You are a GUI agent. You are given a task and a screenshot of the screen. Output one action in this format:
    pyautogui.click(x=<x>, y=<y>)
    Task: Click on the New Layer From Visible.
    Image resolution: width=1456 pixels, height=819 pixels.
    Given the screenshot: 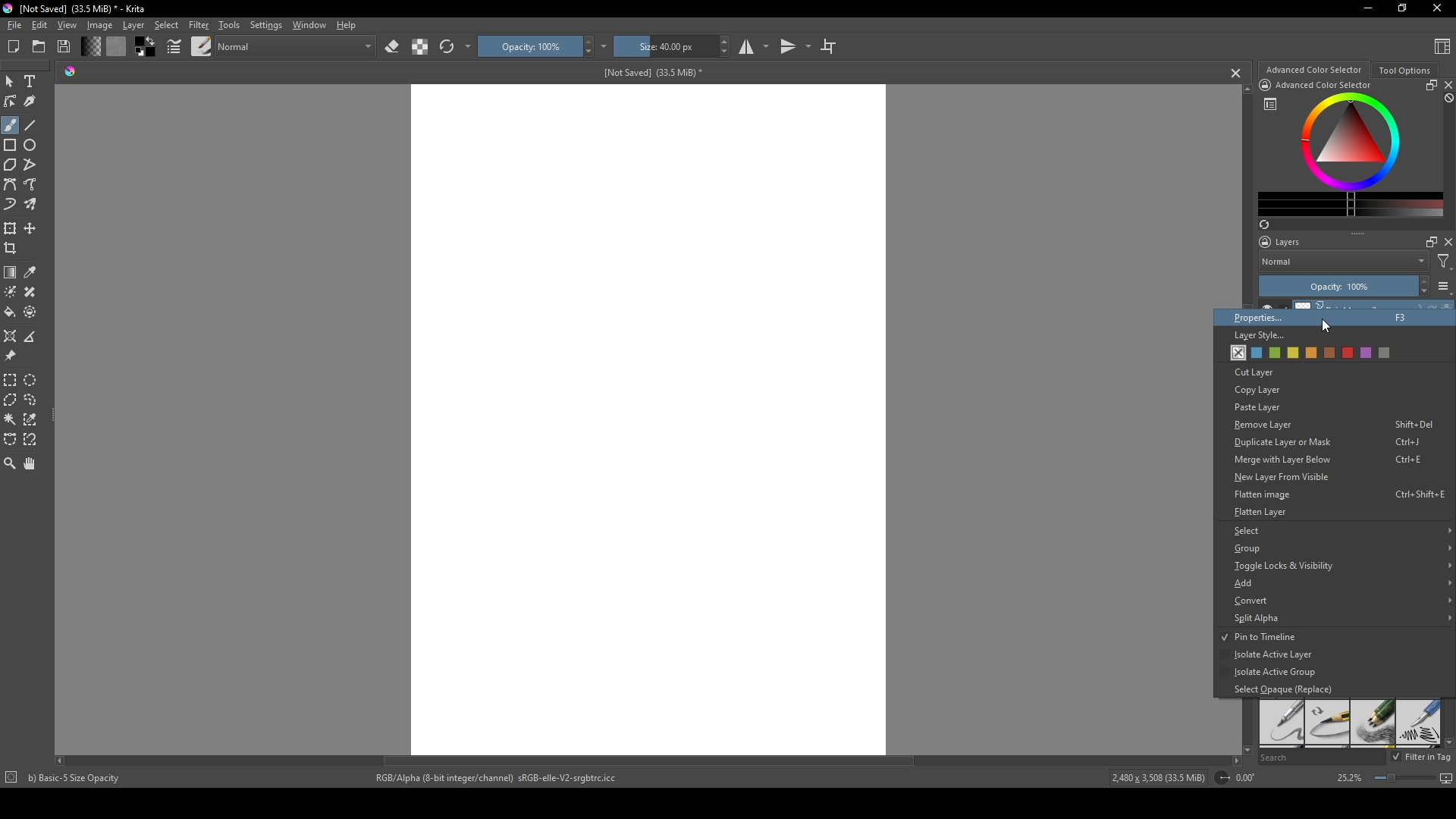 What is the action you would take?
    pyautogui.click(x=1313, y=478)
    